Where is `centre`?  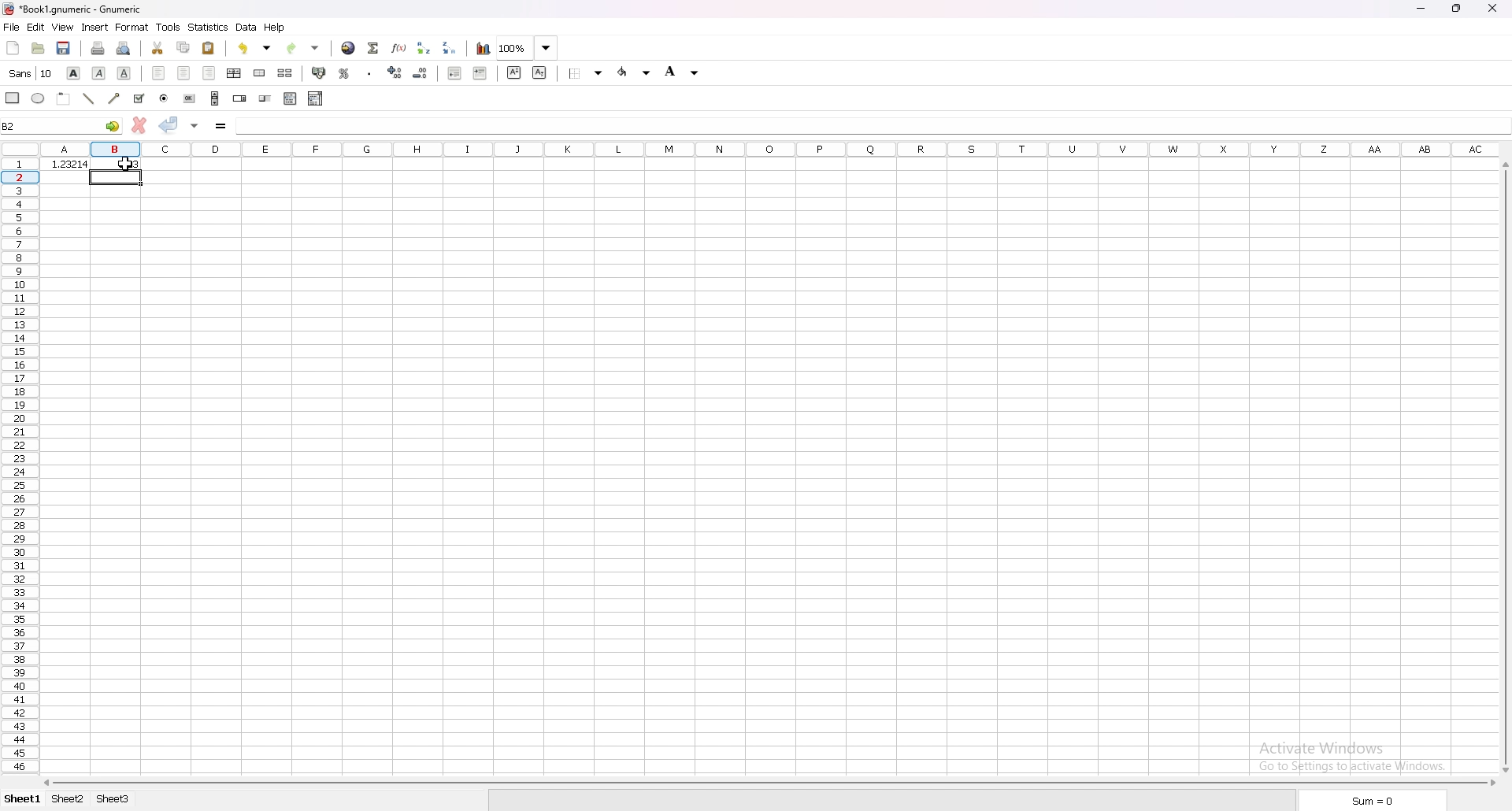
centre is located at coordinates (183, 72).